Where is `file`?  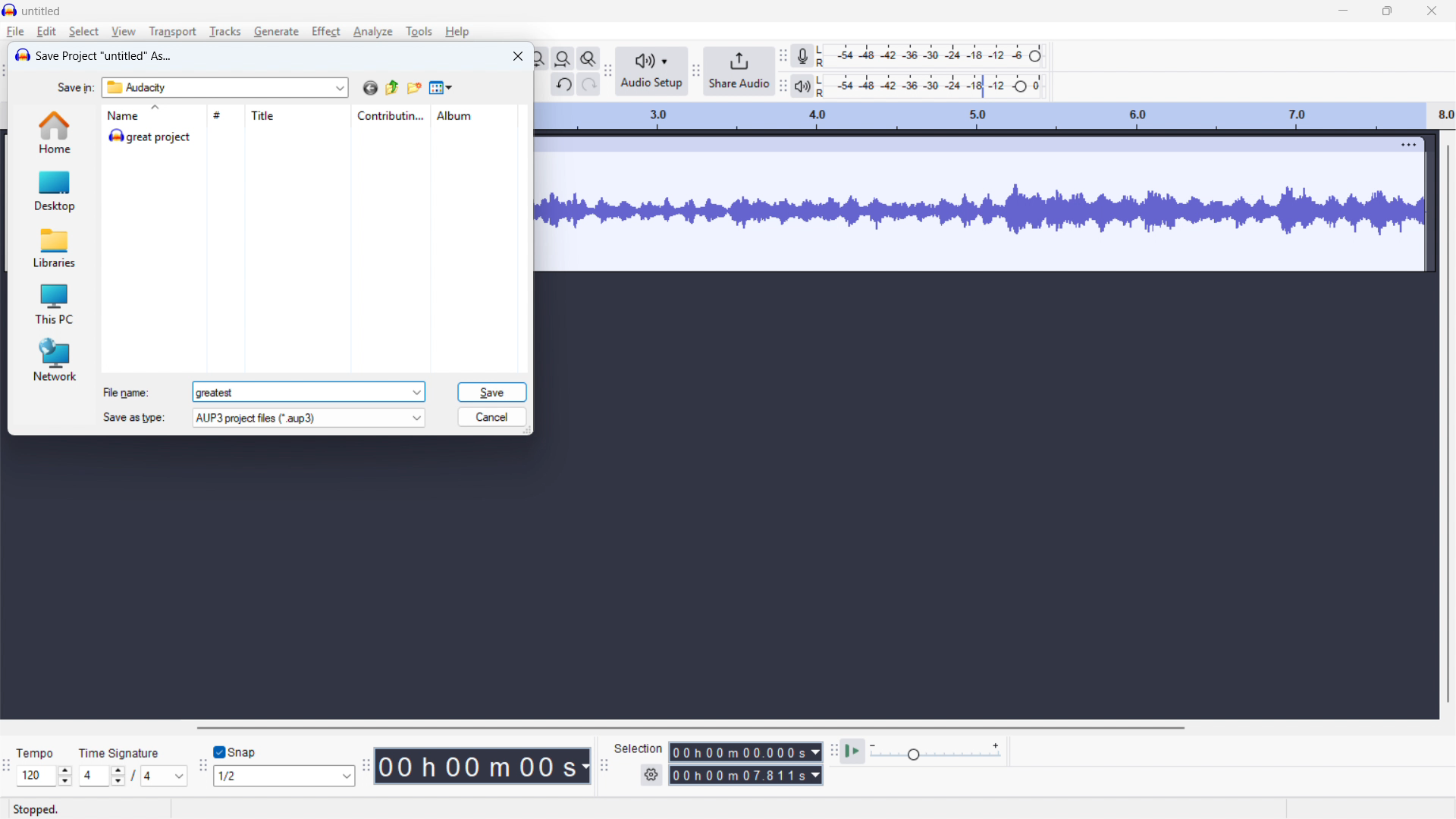
file is located at coordinates (15, 32).